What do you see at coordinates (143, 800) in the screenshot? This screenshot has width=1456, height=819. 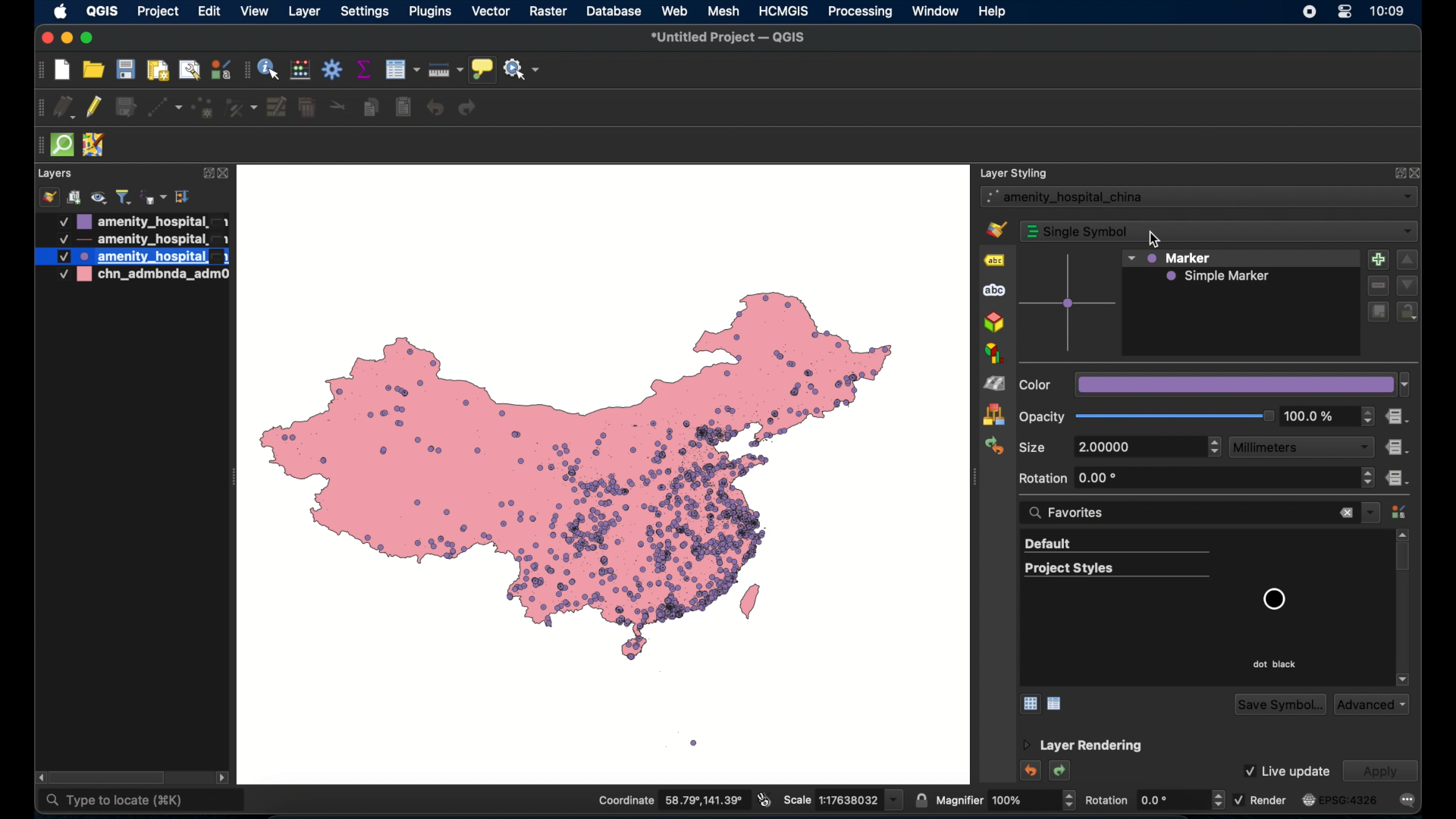 I see `type to locate` at bounding box center [143, 800].